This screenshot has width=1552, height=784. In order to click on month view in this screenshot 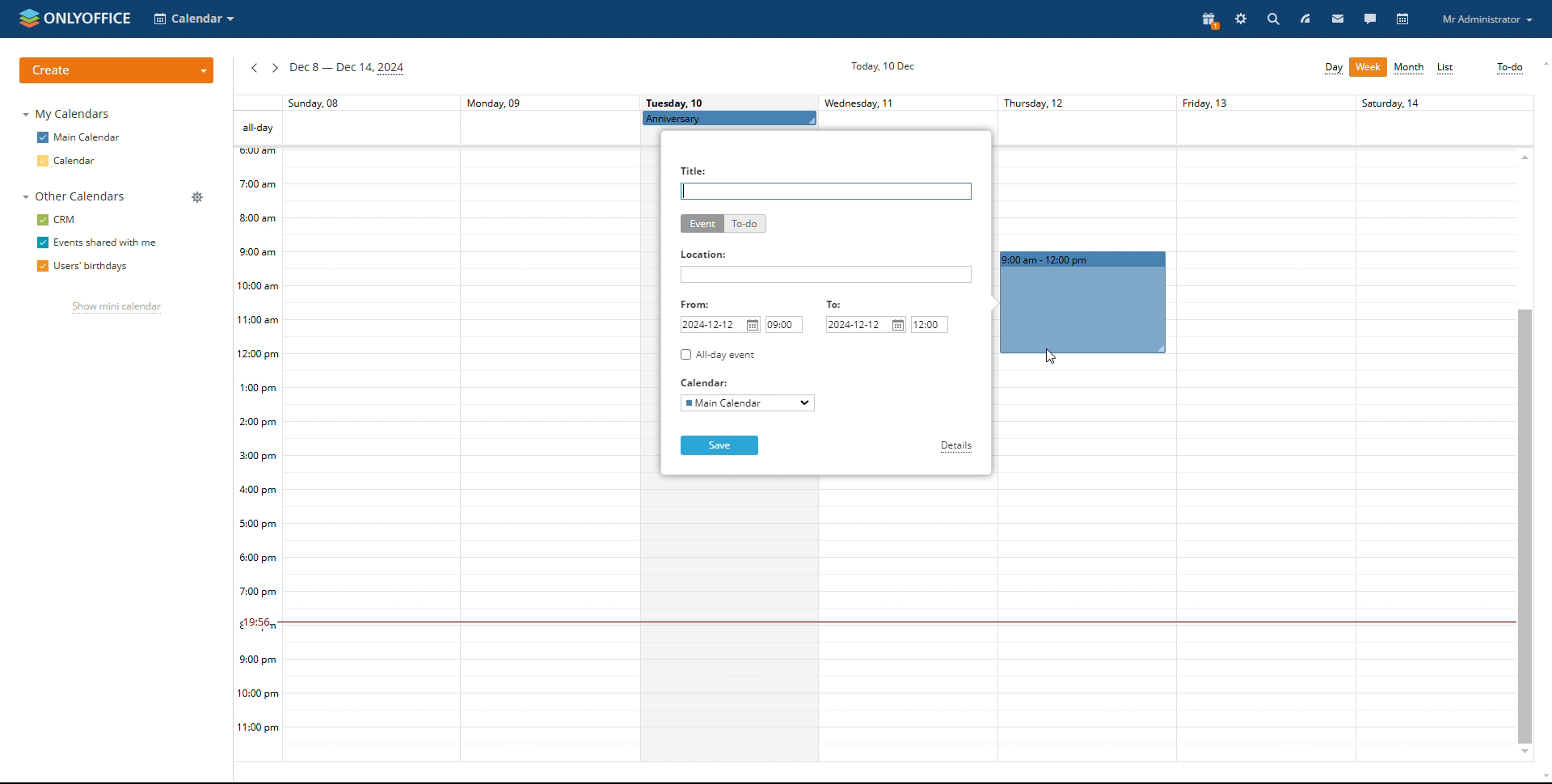, I will do `click(1410, 69)`.